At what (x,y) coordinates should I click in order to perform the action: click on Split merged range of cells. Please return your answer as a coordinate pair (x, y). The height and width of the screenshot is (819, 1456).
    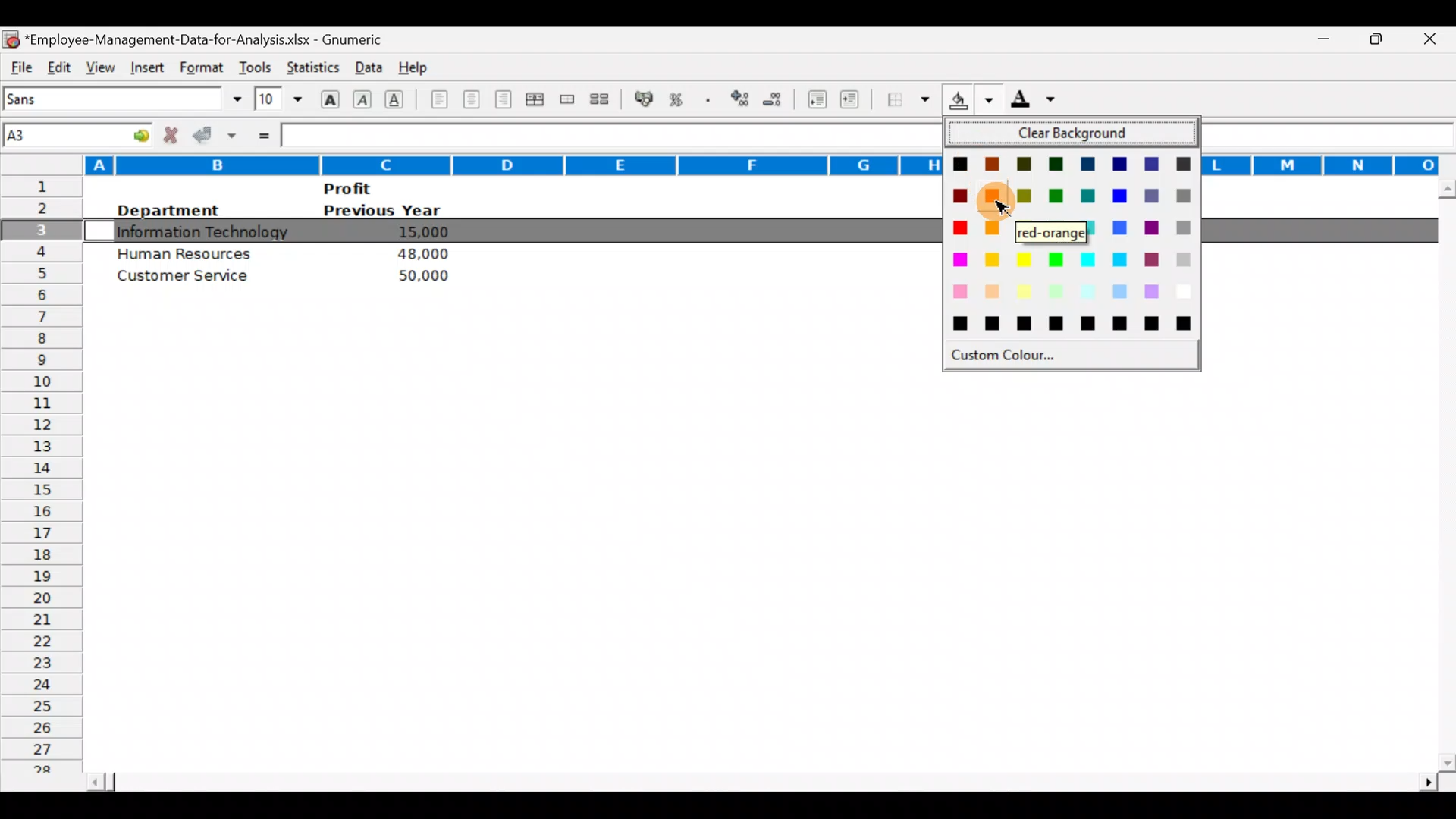
    Looking at the image, I should click on (600, 99).